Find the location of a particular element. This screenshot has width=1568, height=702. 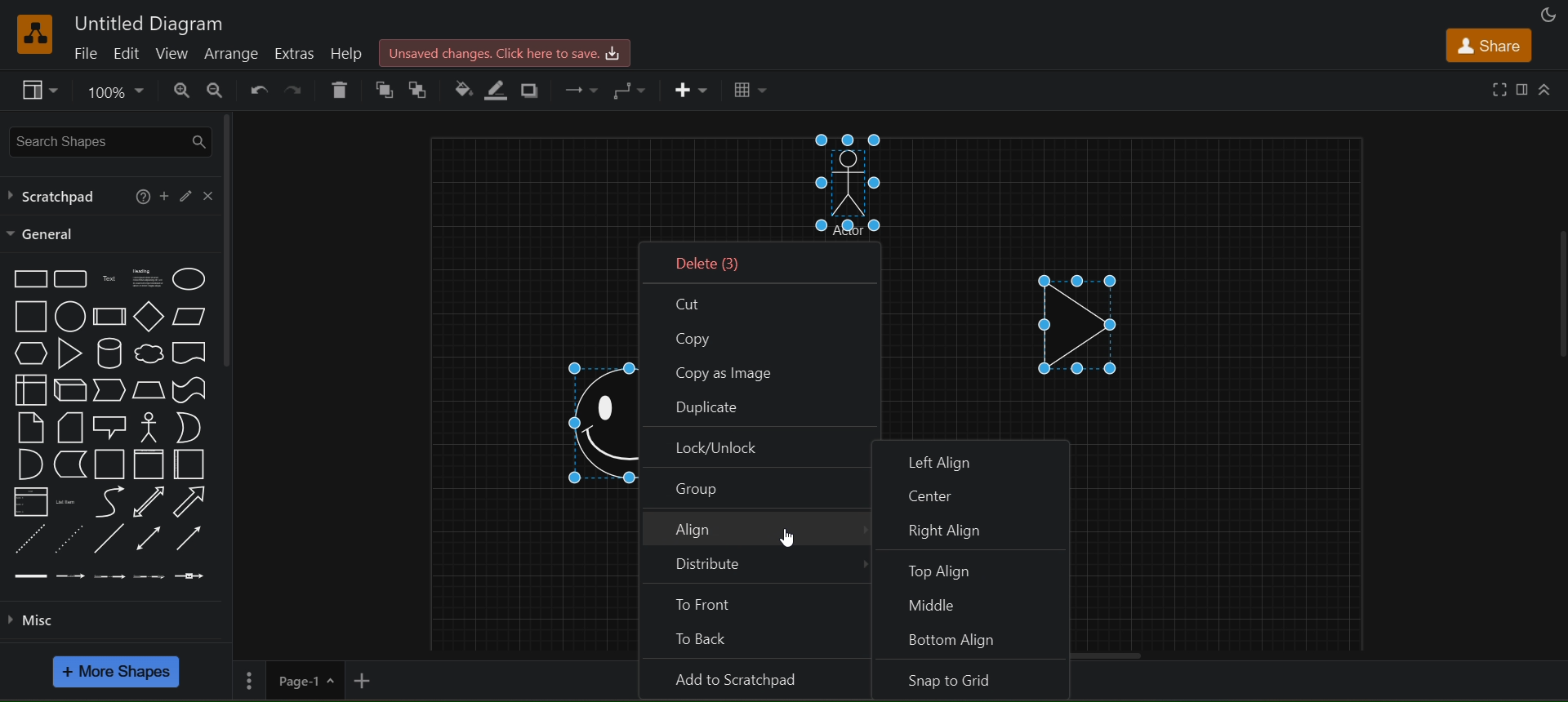

more shapes is located at coordinates (118, 673).